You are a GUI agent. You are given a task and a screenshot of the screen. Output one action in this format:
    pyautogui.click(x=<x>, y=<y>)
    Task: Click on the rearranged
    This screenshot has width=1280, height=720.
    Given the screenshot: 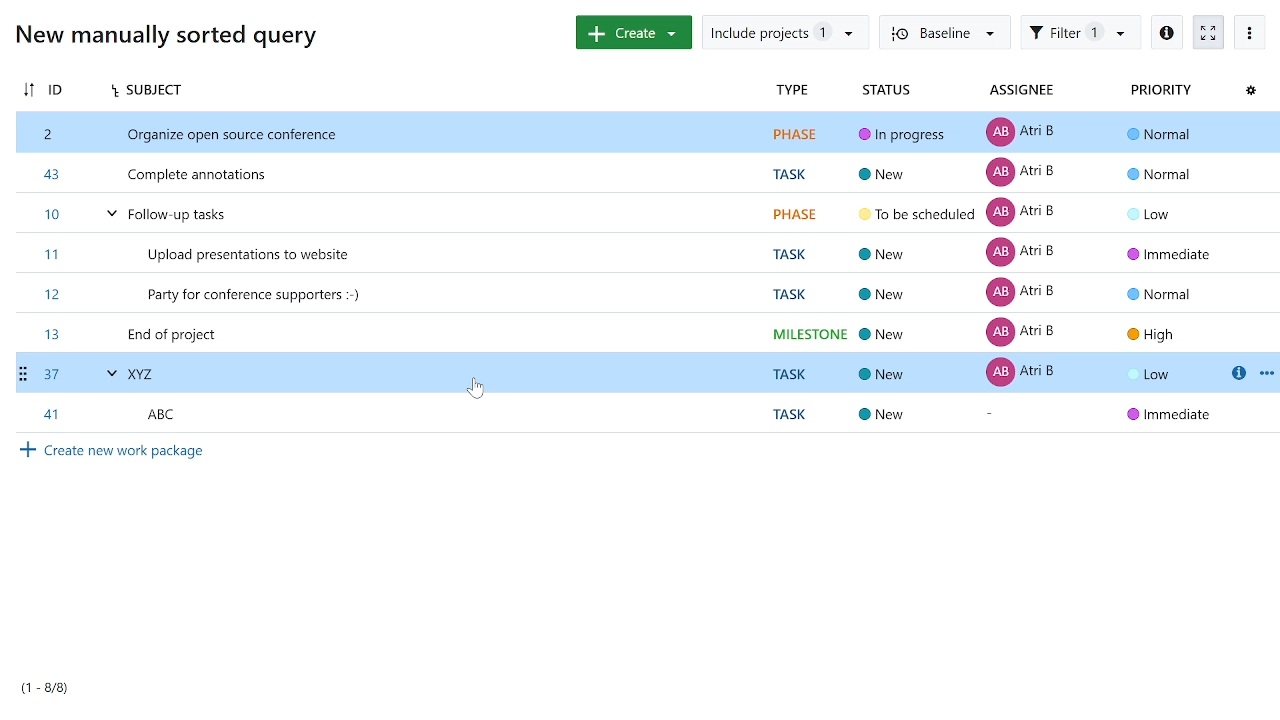 What is the action you would take?
    pyautogui.click(x=30, y=87)
    